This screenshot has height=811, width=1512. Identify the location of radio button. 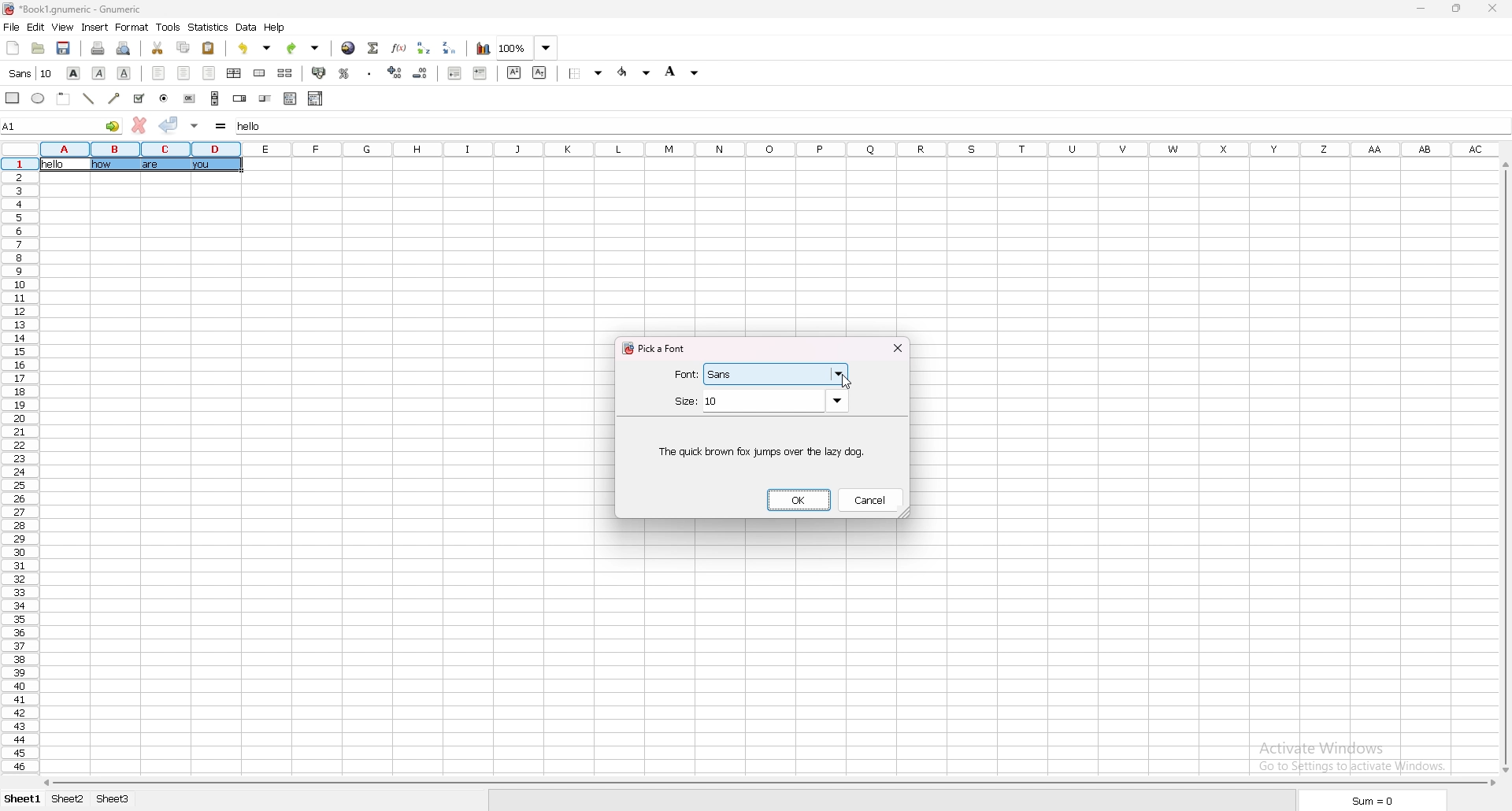
(163, 98).